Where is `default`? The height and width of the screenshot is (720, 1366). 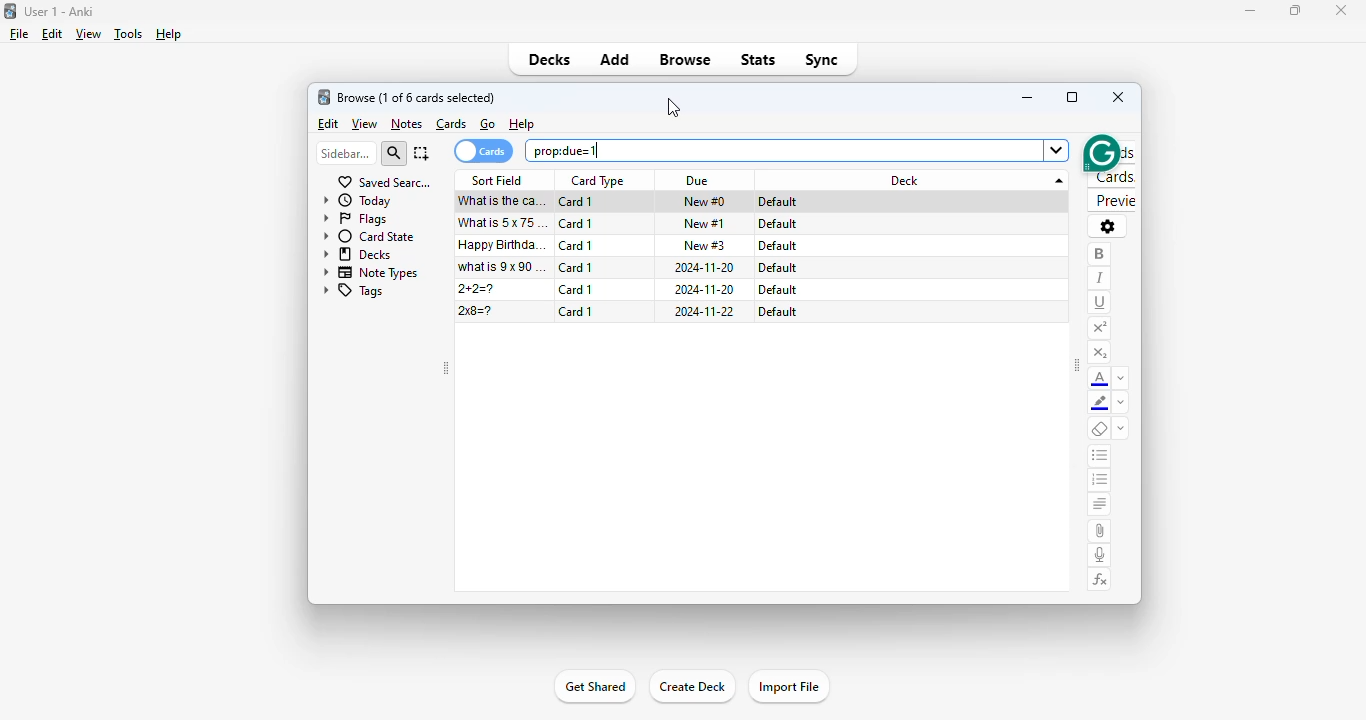 default is located at coordinates (777, 290).